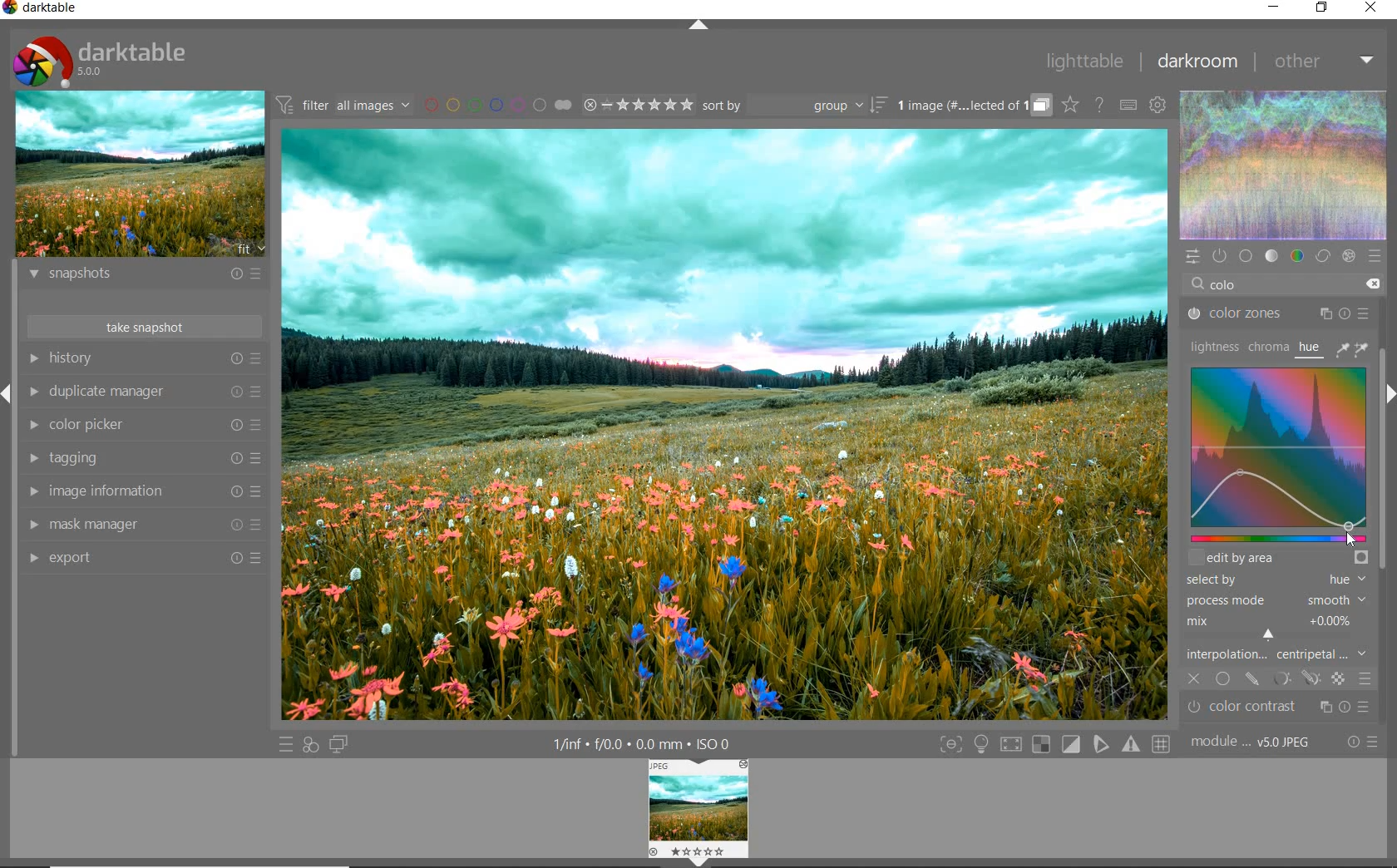  I want to click on Expand / Collapse, so click(8, 392).